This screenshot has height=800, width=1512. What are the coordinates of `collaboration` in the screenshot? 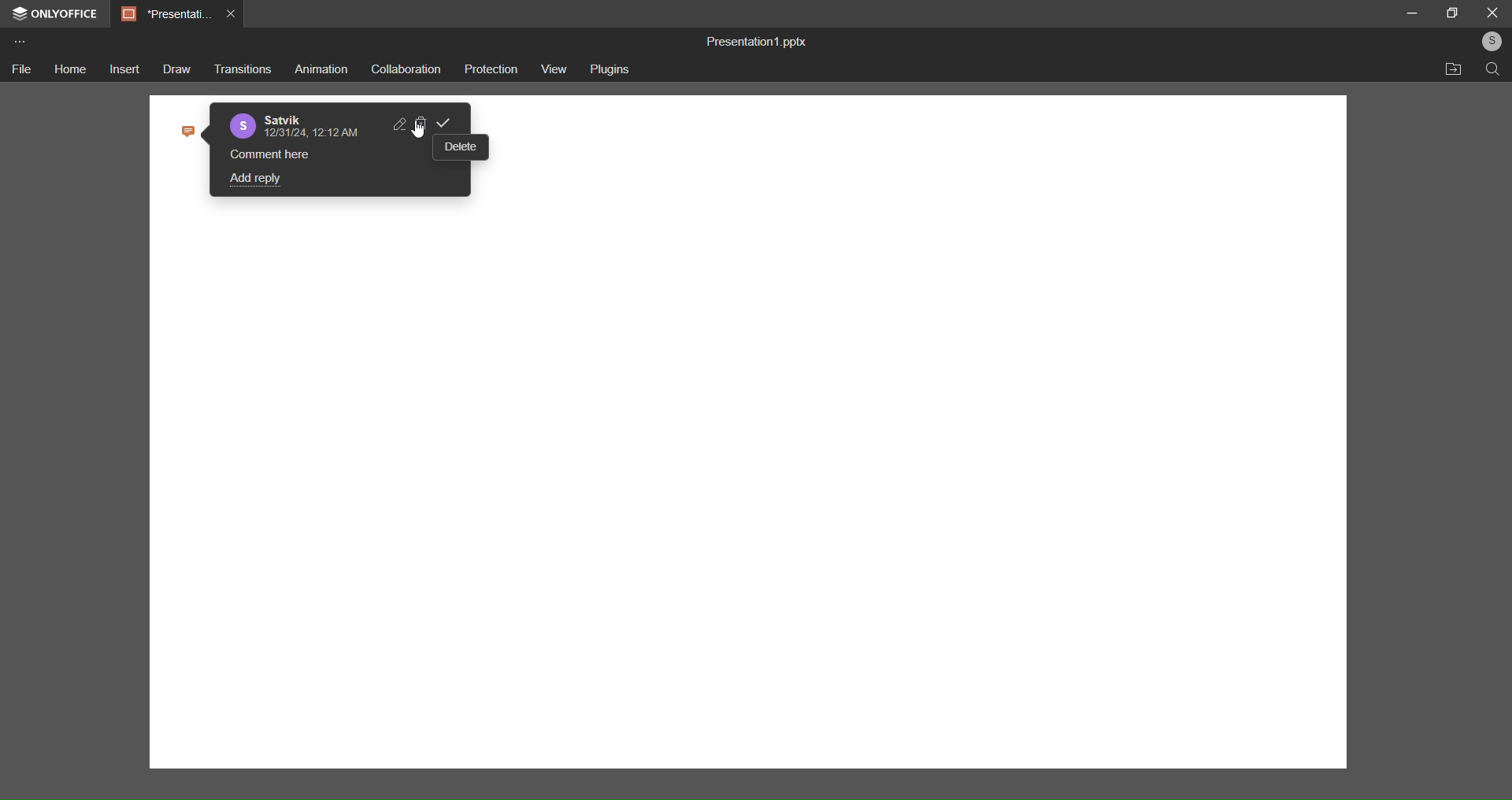 It's located at (406, 68).